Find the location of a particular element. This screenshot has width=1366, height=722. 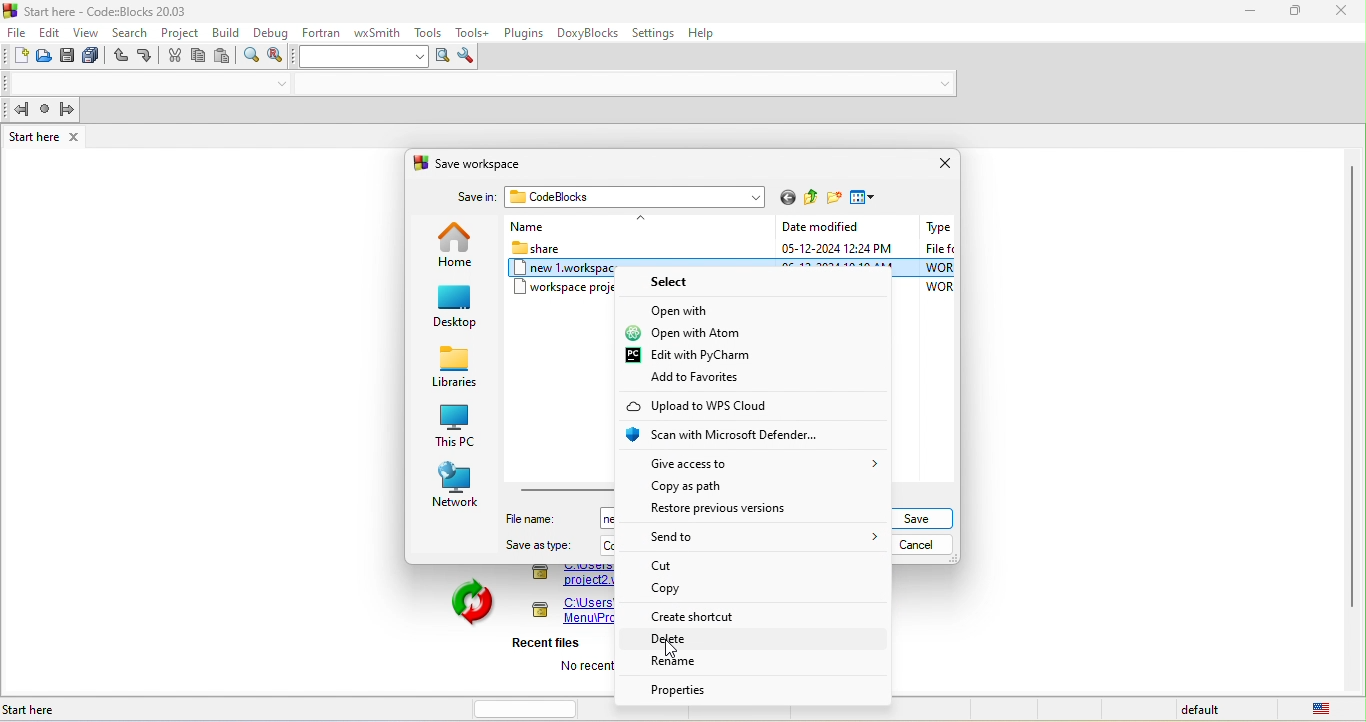

save everything is located at coordinates (94, 58).